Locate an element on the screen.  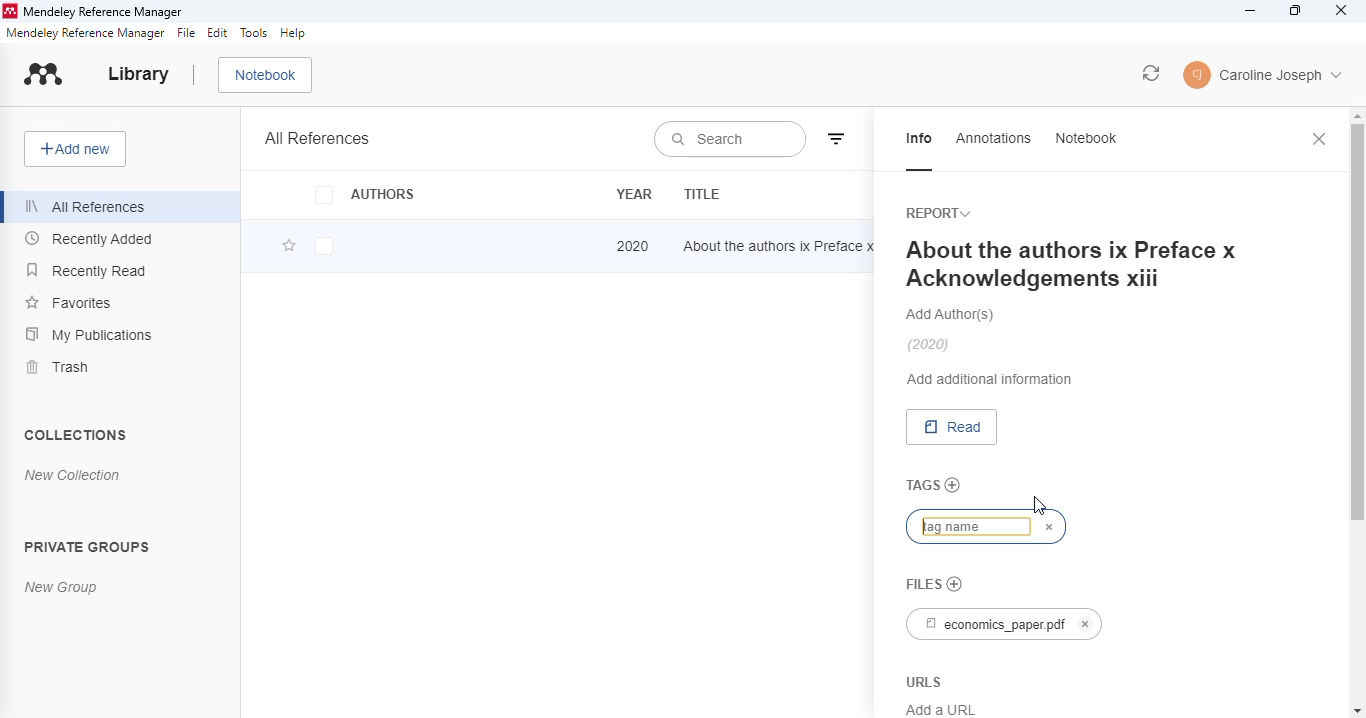
logo is located at coordinates (9, 11).